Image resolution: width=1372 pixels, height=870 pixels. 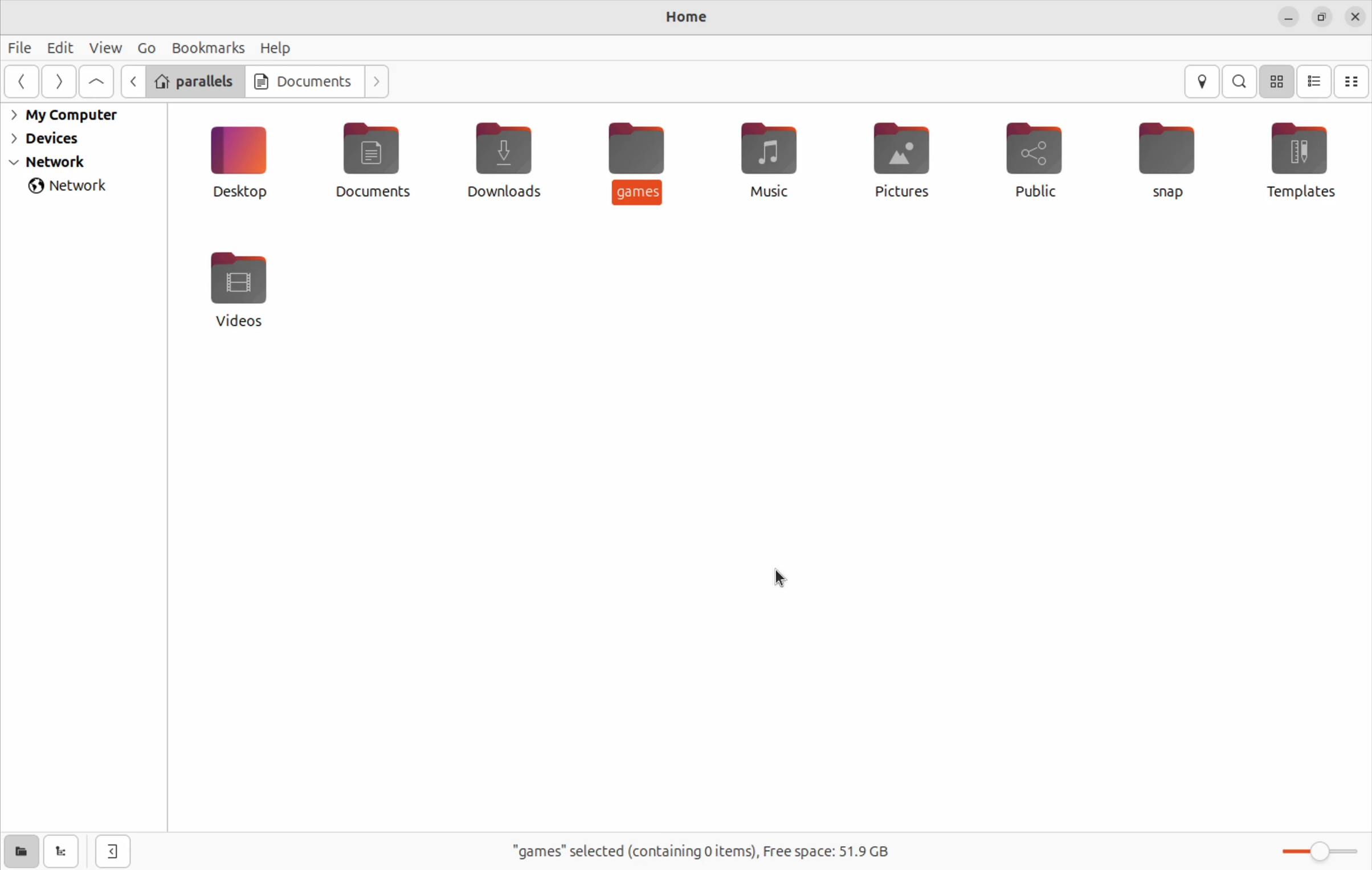 I want to click on minimize, so click(x=1290, y=18).